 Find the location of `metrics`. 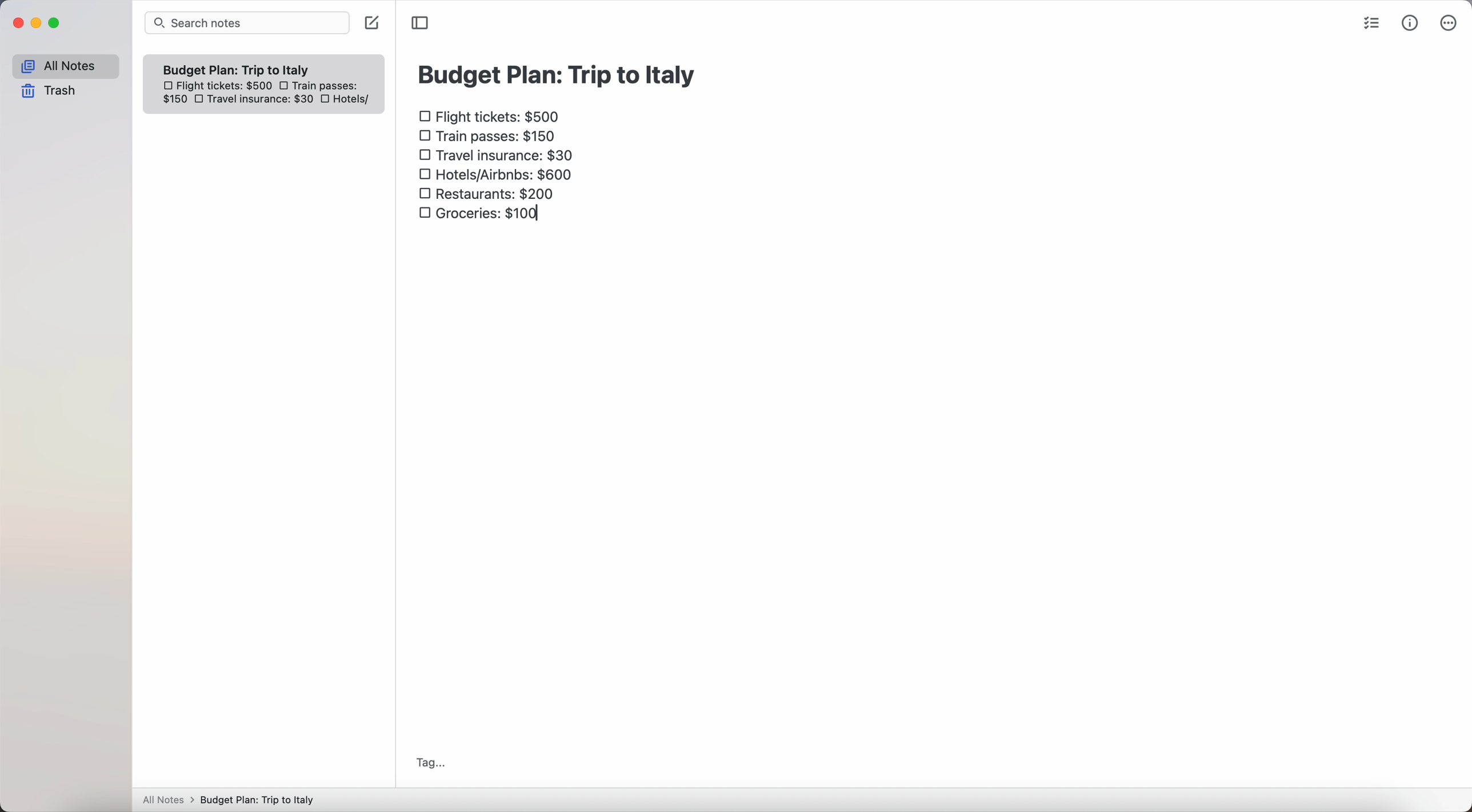

metrics is located at coordinates (1410, 25).